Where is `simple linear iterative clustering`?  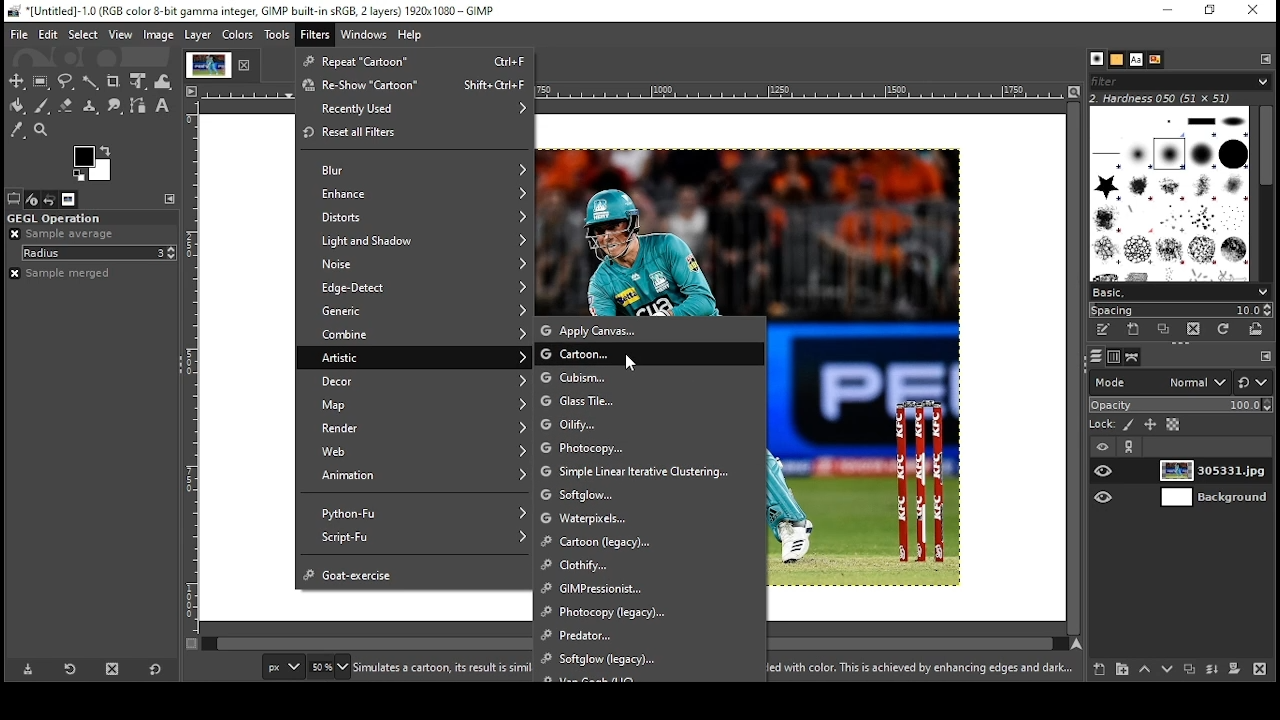 simple linear iterative clustering is located at coordinates (648, 469).